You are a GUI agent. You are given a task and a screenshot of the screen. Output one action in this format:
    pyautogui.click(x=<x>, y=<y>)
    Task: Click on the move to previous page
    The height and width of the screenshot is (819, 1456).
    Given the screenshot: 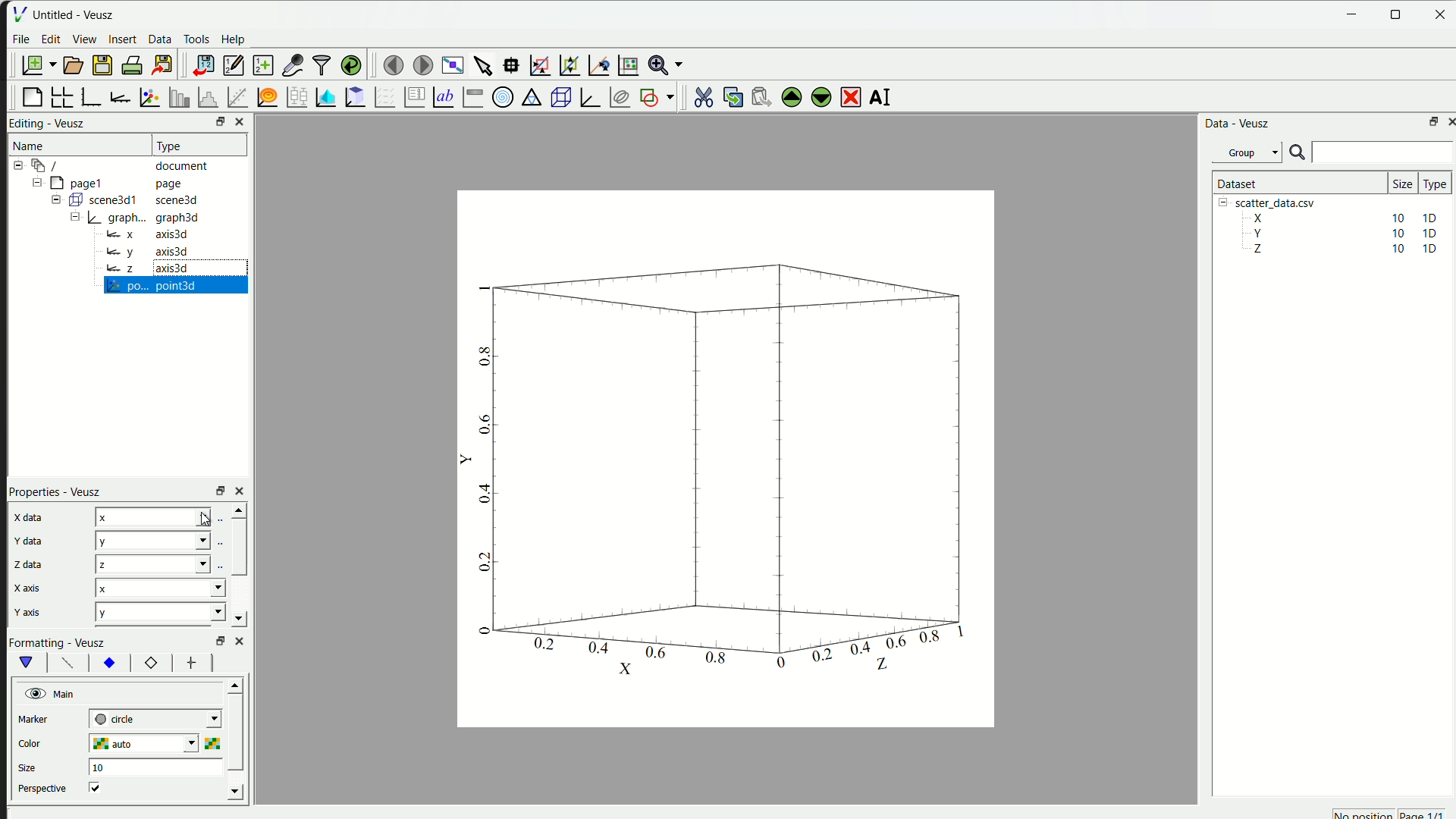 What is the action you would take?
    pyautogui.click(x=391, y=63)
    